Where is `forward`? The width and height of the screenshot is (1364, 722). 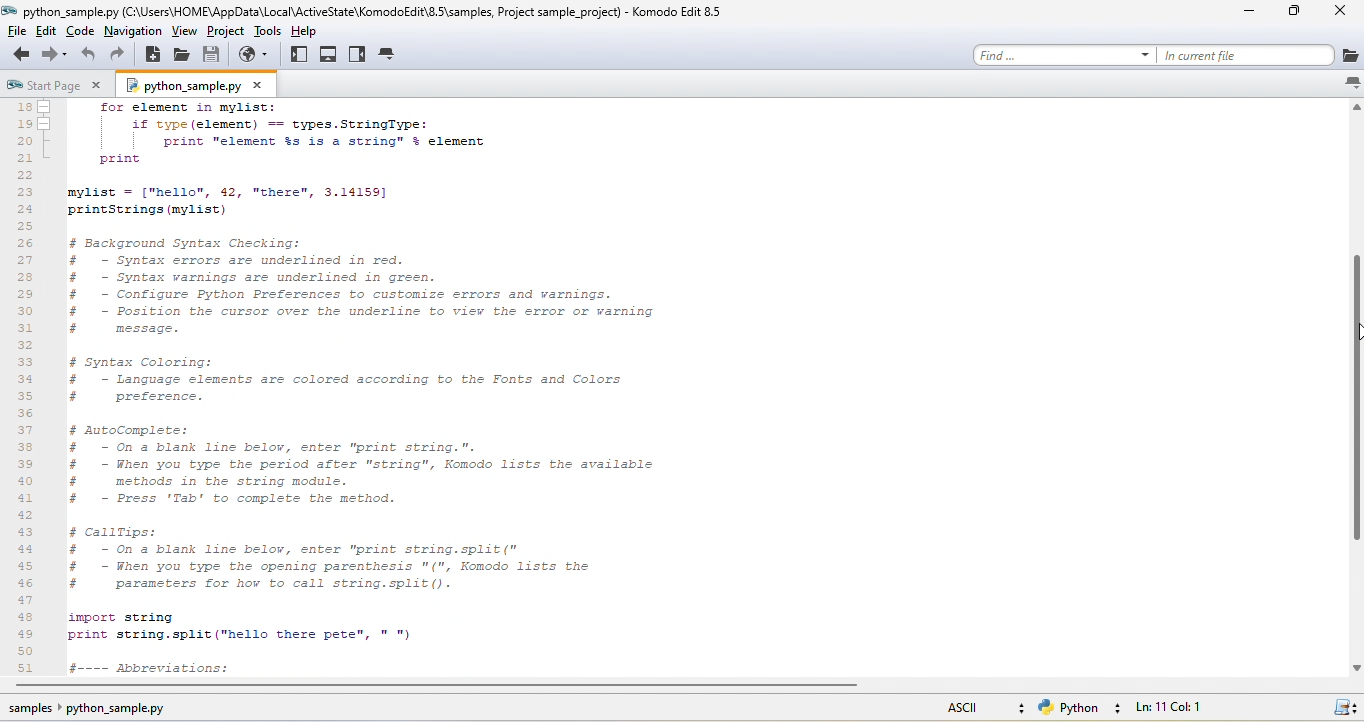 forward is located at coordinates (56, 55).